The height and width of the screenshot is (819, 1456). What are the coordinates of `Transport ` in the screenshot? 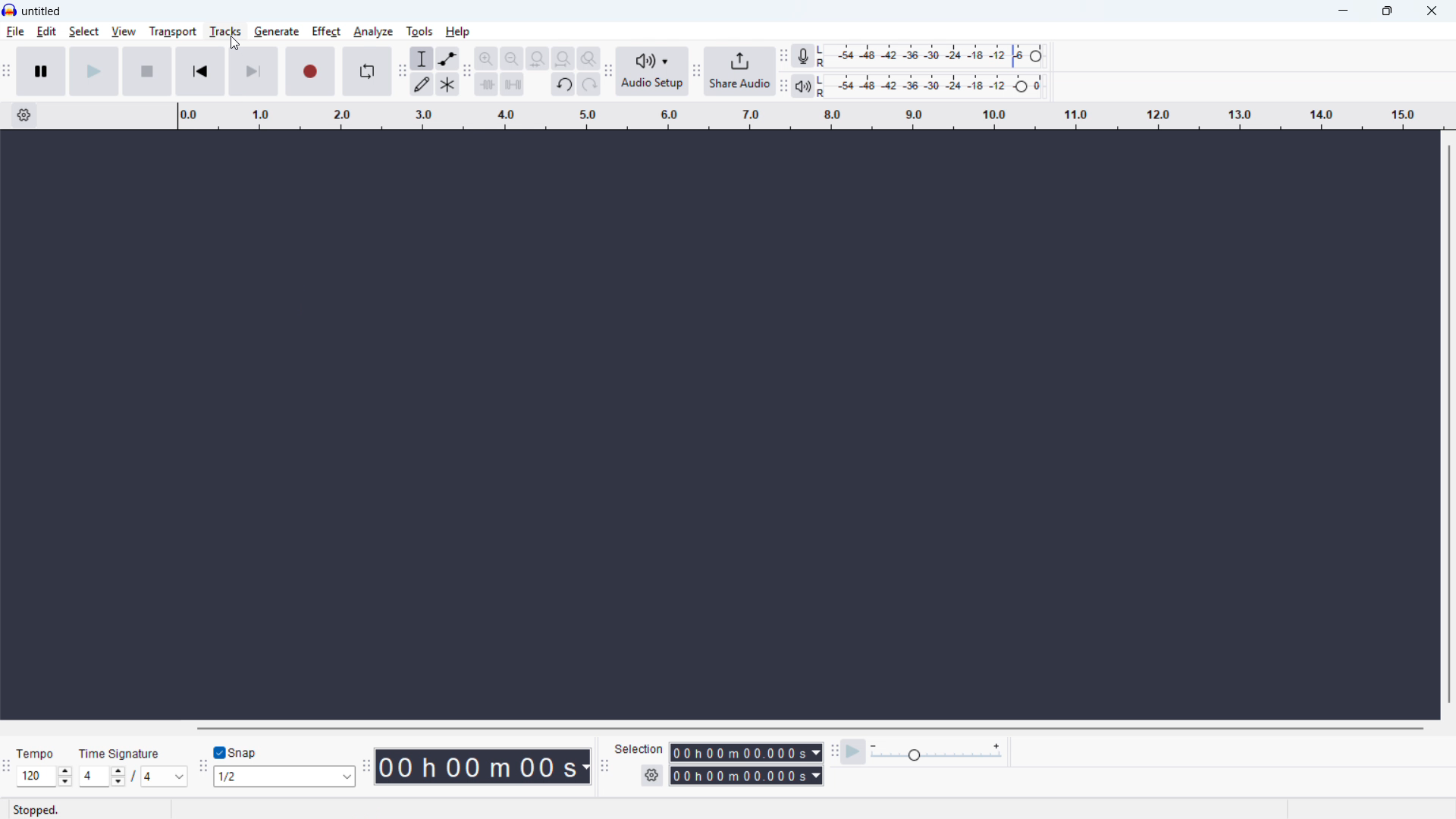 It's located at (173, 31).